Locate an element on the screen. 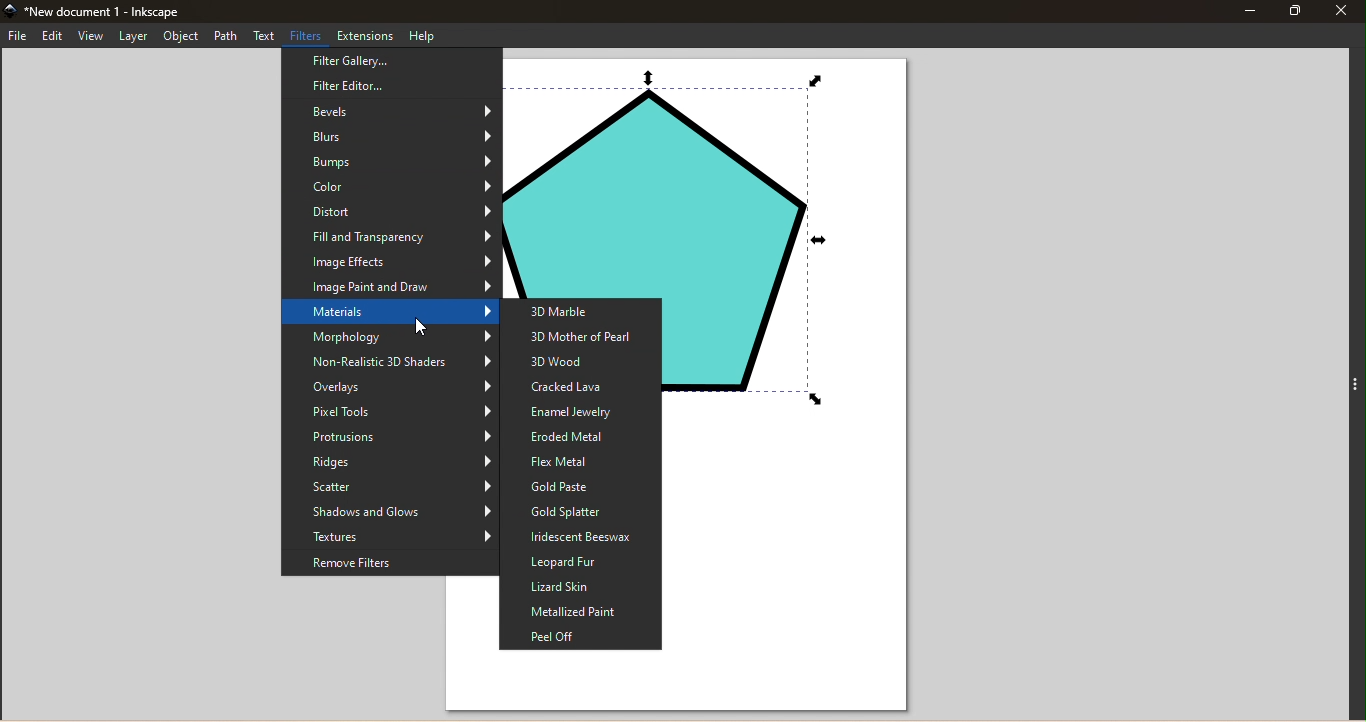  Close is located at coordinates (1344, 10).